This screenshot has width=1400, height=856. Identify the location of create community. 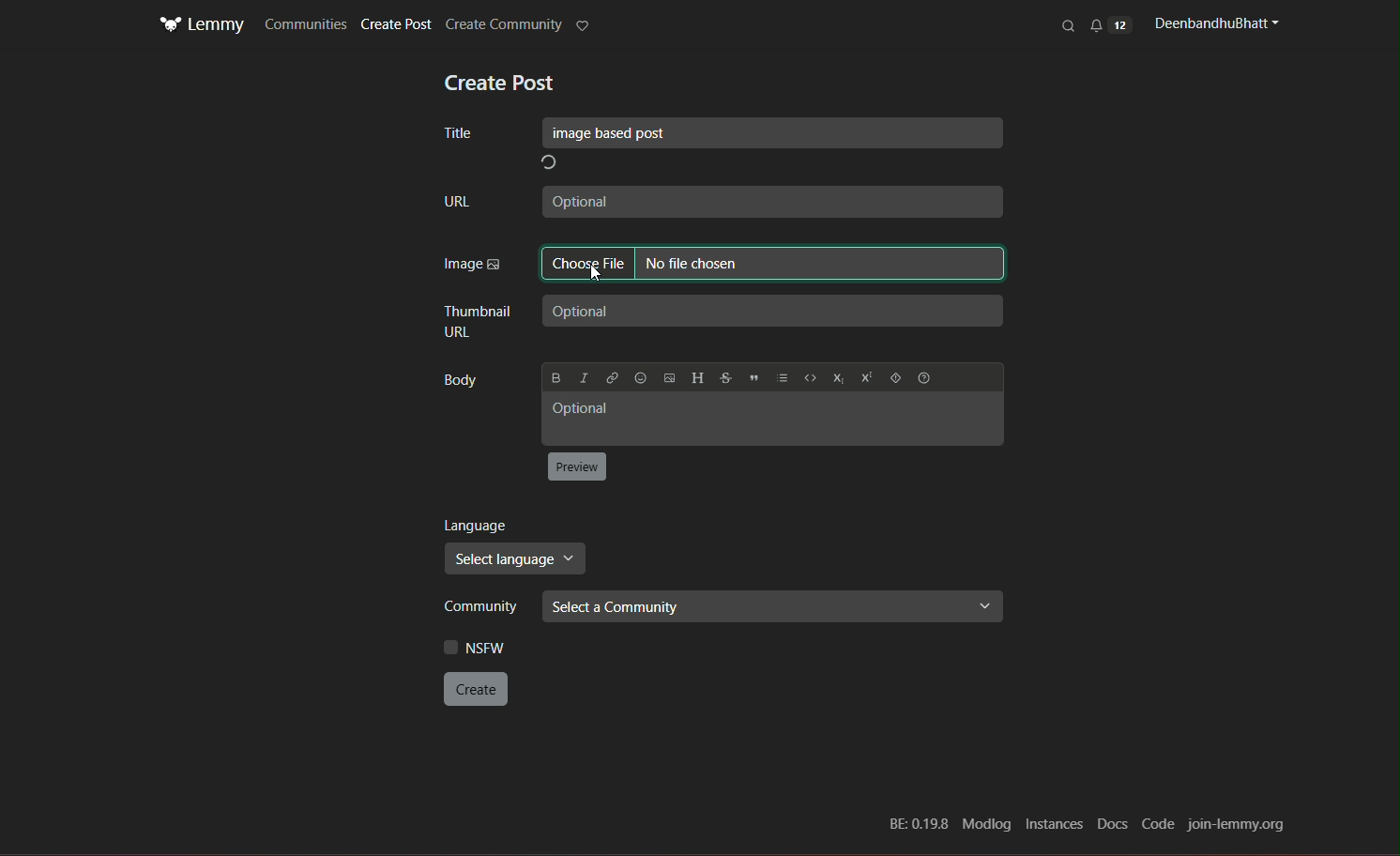
(503, 25).